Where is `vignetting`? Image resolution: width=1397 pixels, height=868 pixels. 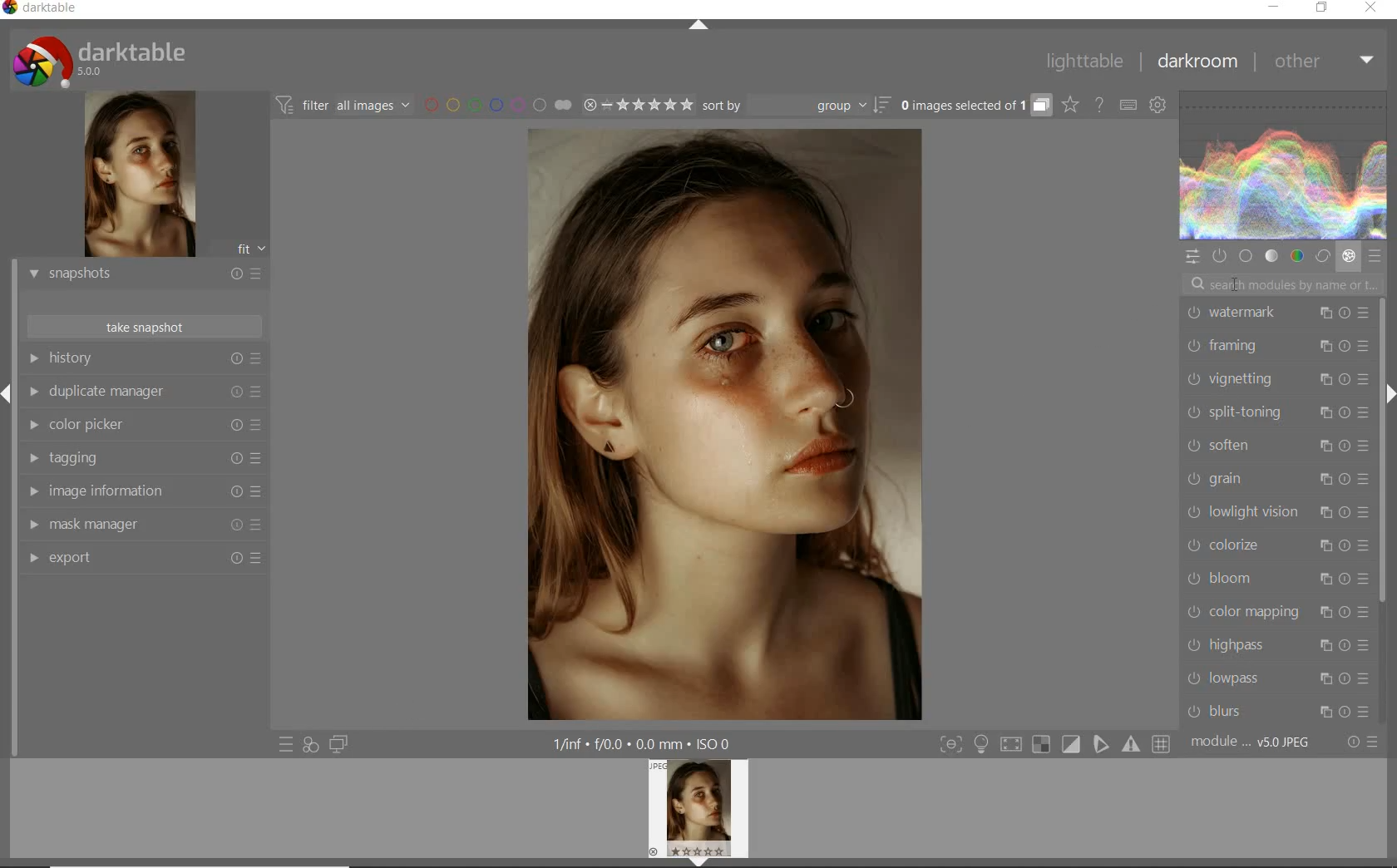 vignetting is located at coordinates (1275, 379).